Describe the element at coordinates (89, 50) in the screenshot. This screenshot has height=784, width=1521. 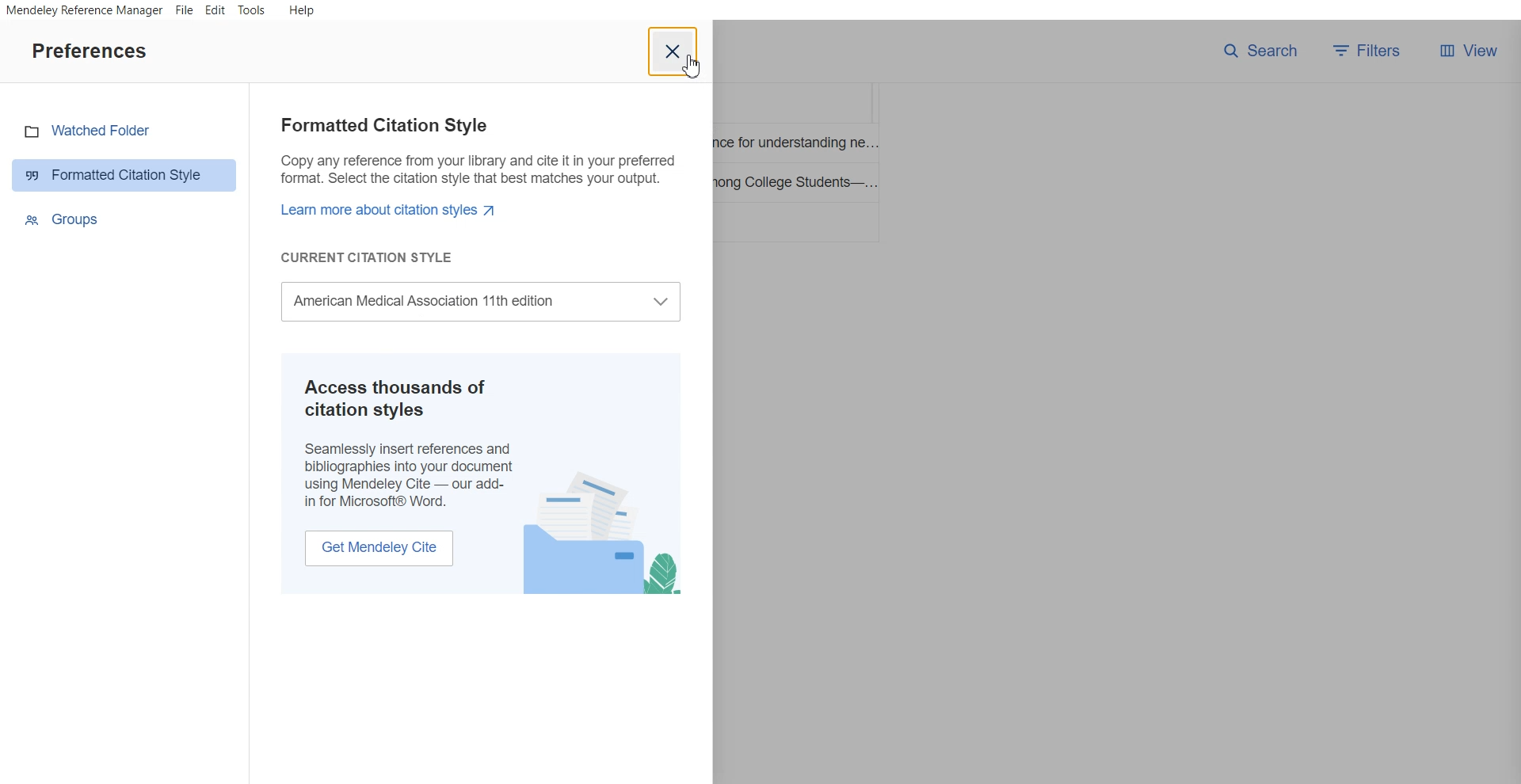
I see `Preferences` at that location.